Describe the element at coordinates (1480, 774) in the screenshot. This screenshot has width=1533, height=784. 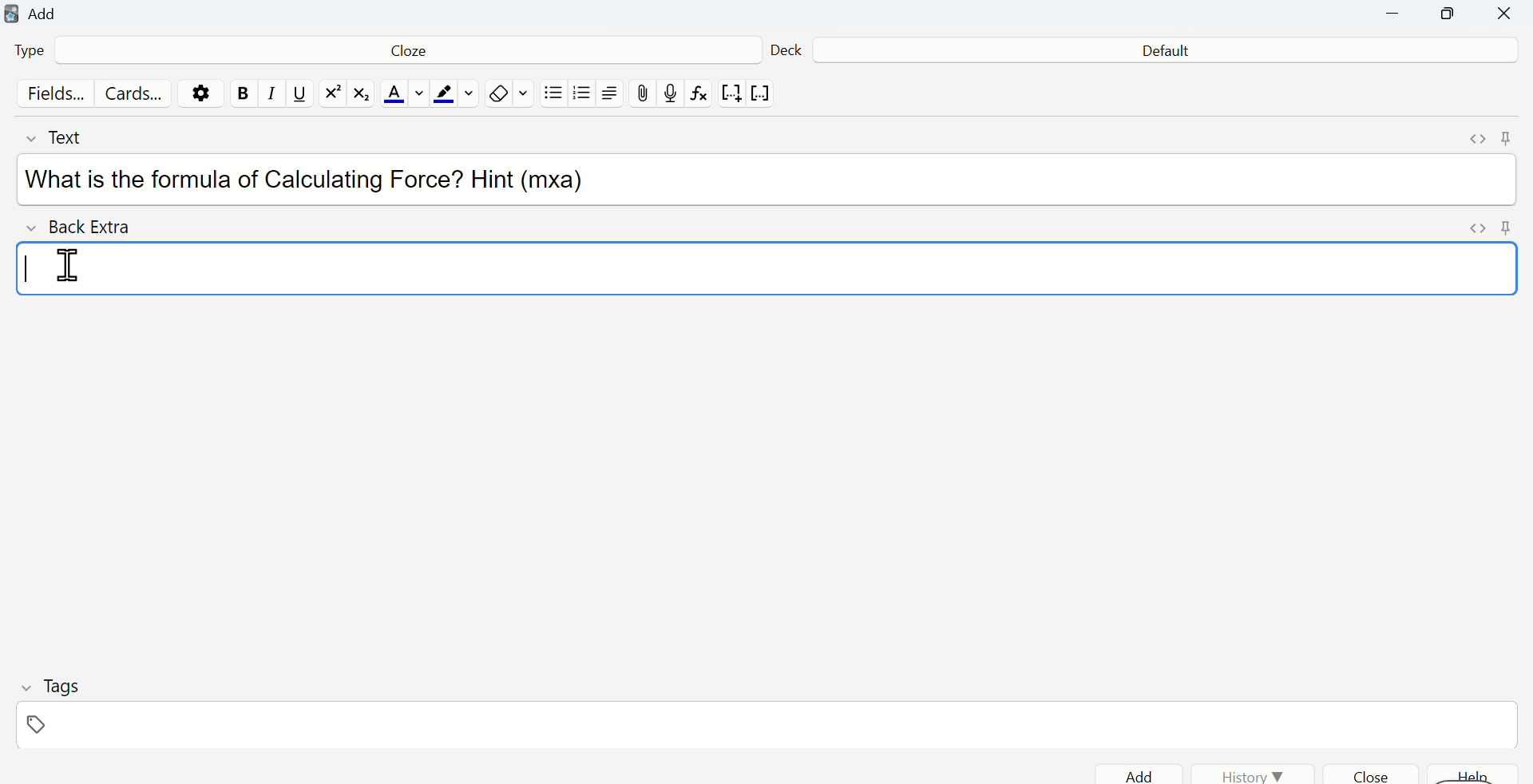
I see `help` at that location.